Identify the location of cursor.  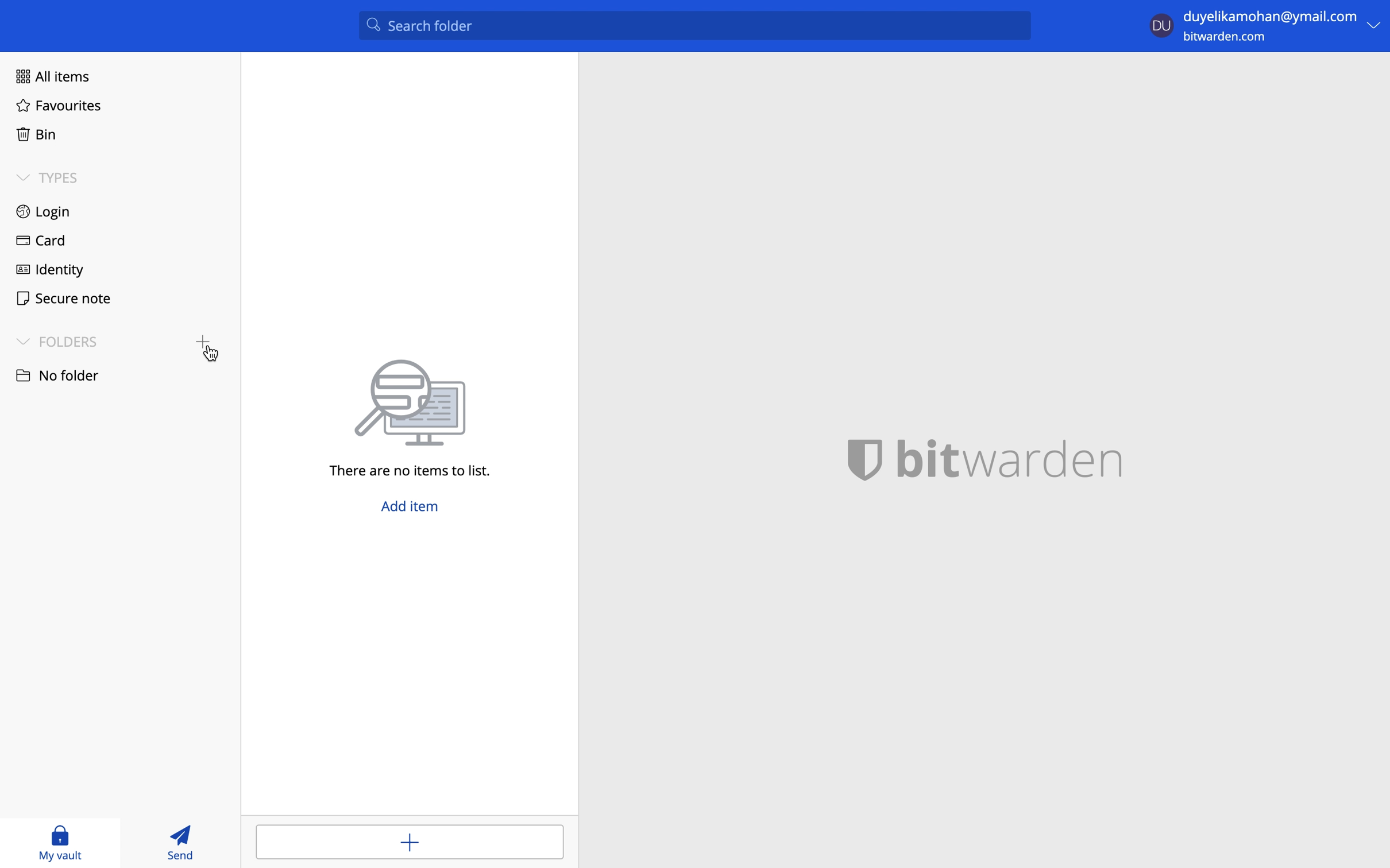
(213, 356).